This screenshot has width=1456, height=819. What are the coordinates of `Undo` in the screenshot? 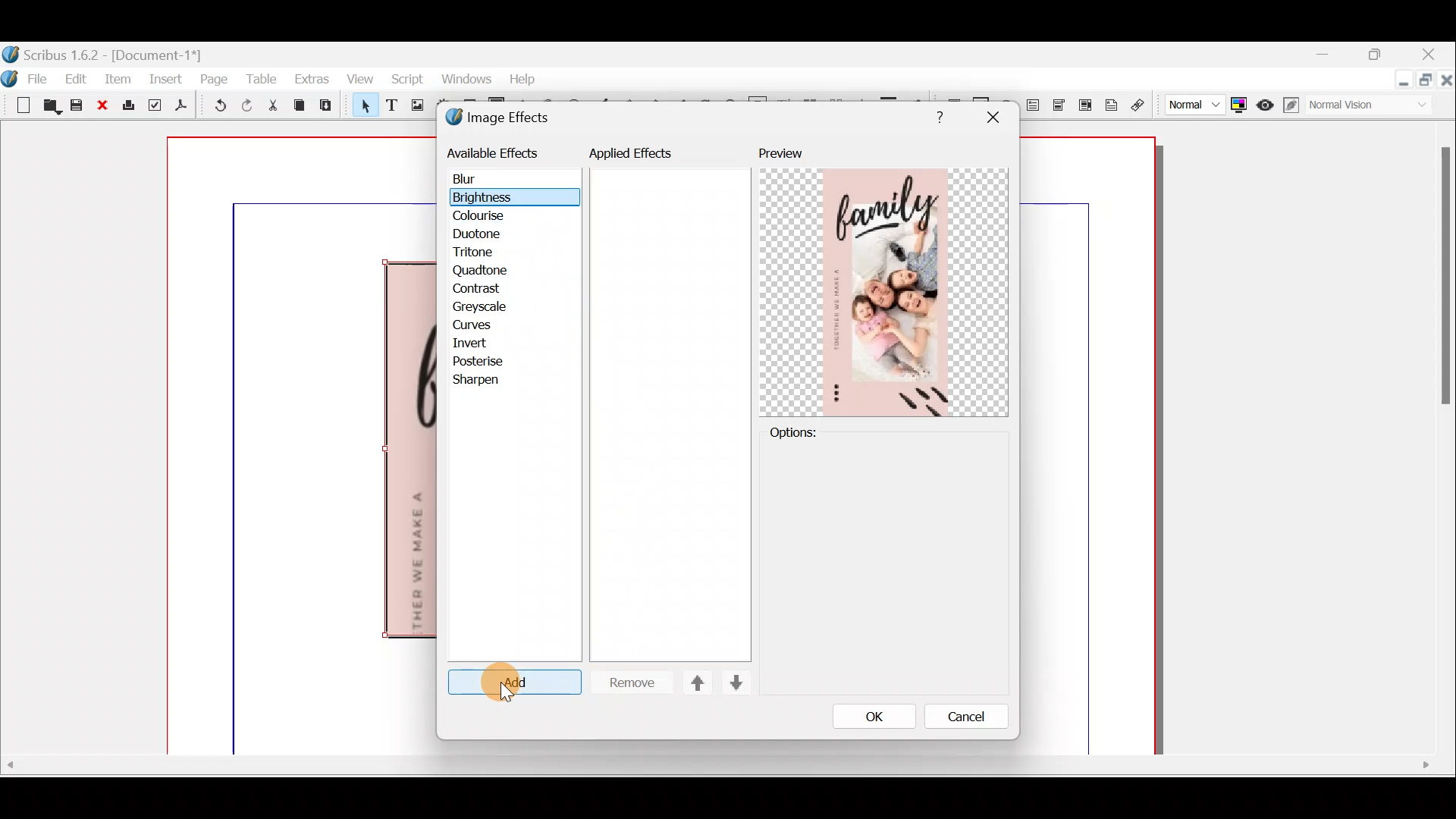 It's located at (214, 108).